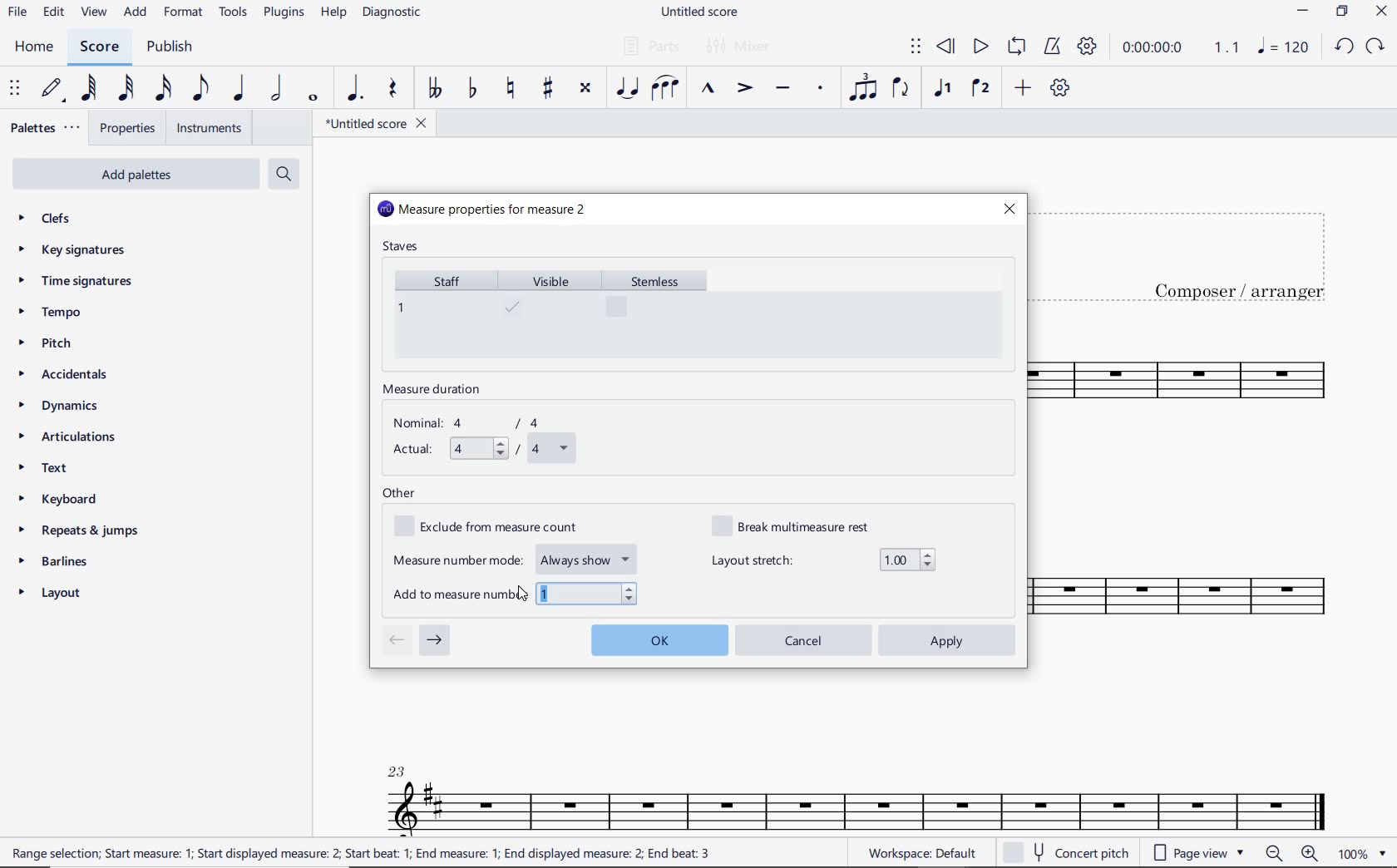 This screenshot has width=1397, height=868. What do you see at coordinates (516, 557) in the screenshot?
I see `measure number mode` at bounding box center [516, 557].